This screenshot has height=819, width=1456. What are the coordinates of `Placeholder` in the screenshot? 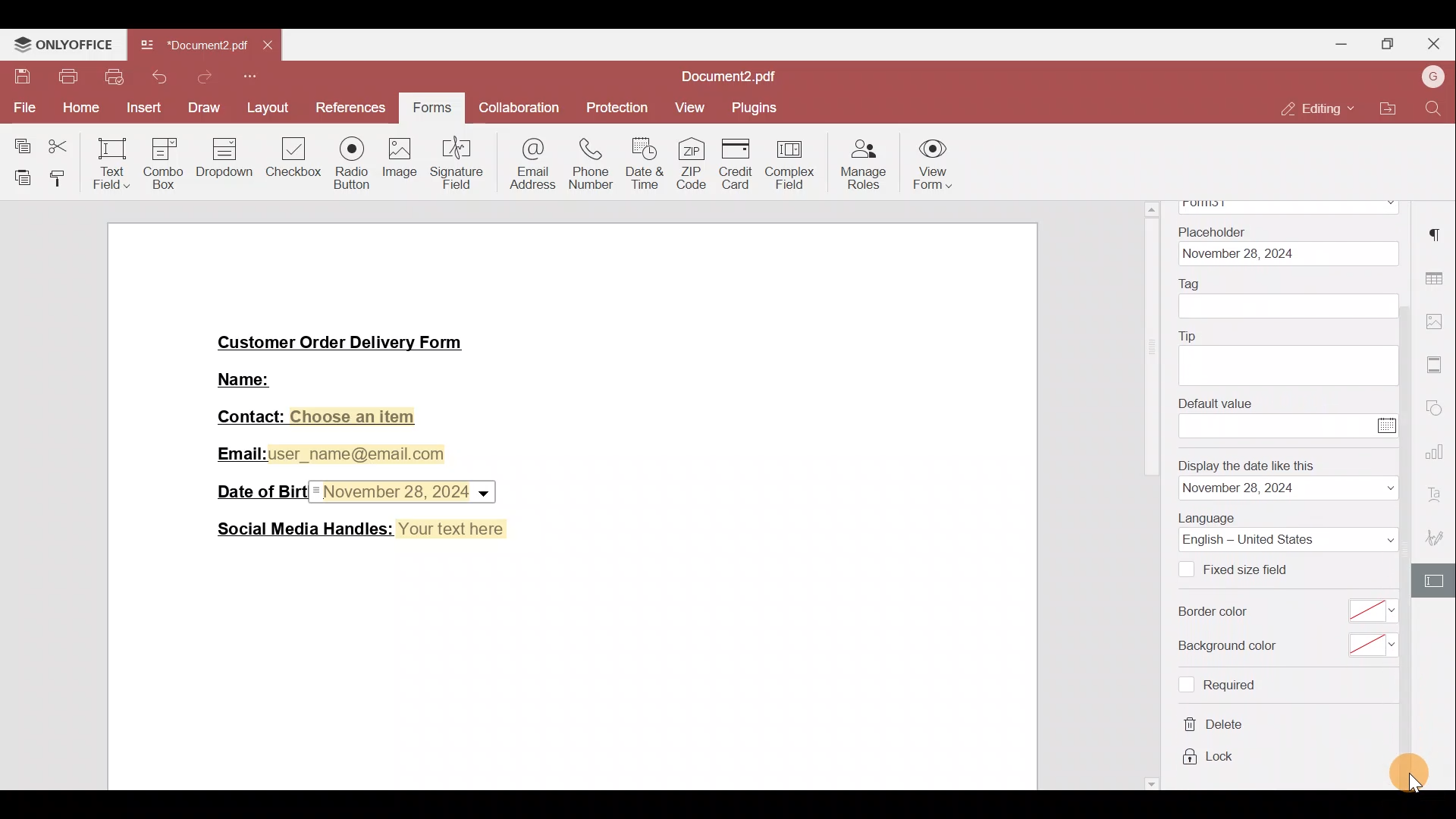 It's located at (1216, 231).